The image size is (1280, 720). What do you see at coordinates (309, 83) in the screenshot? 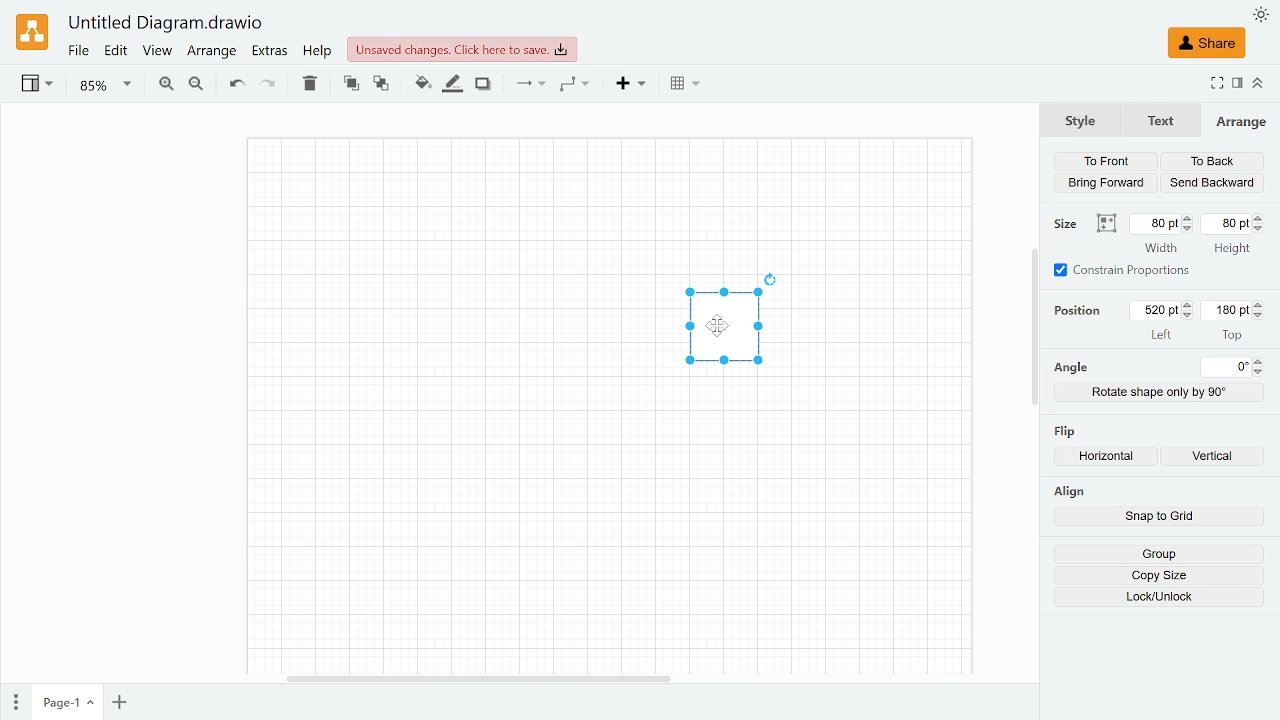
I see `Delete` at bounding box center [309, 83].